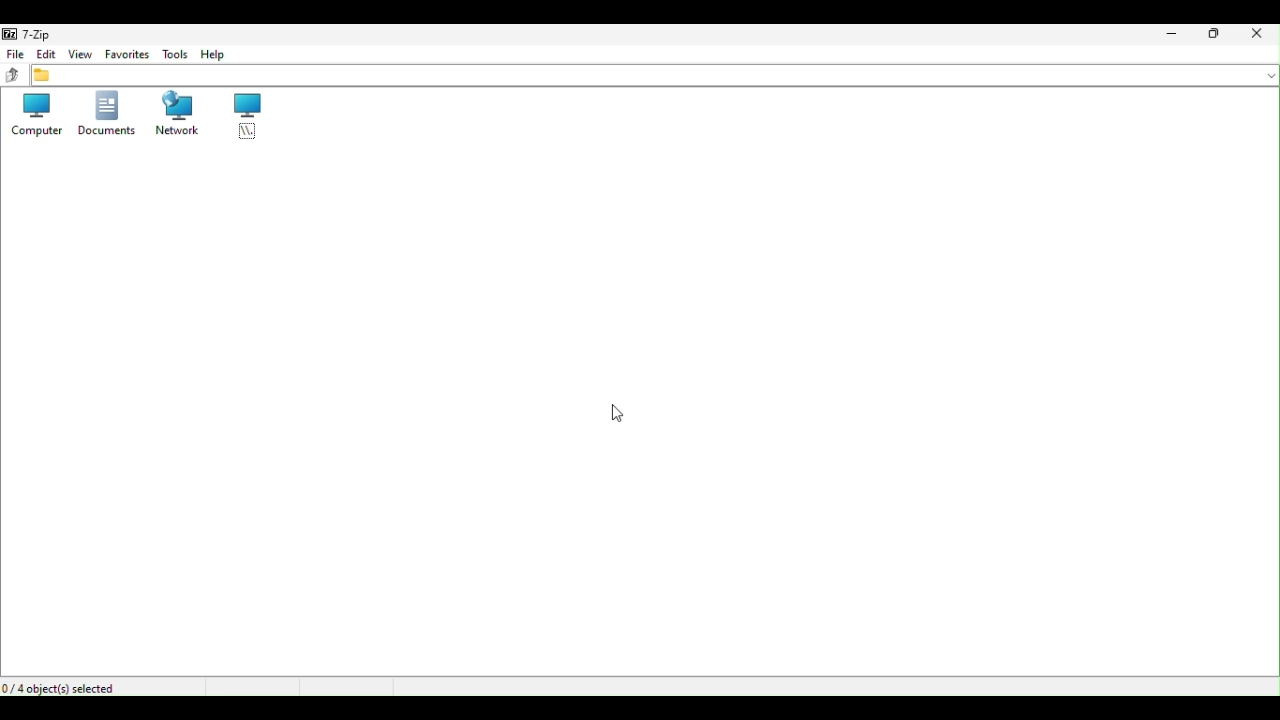 This screenshot has height=720, width=1280. I want to click on documents, so click(105, 118).